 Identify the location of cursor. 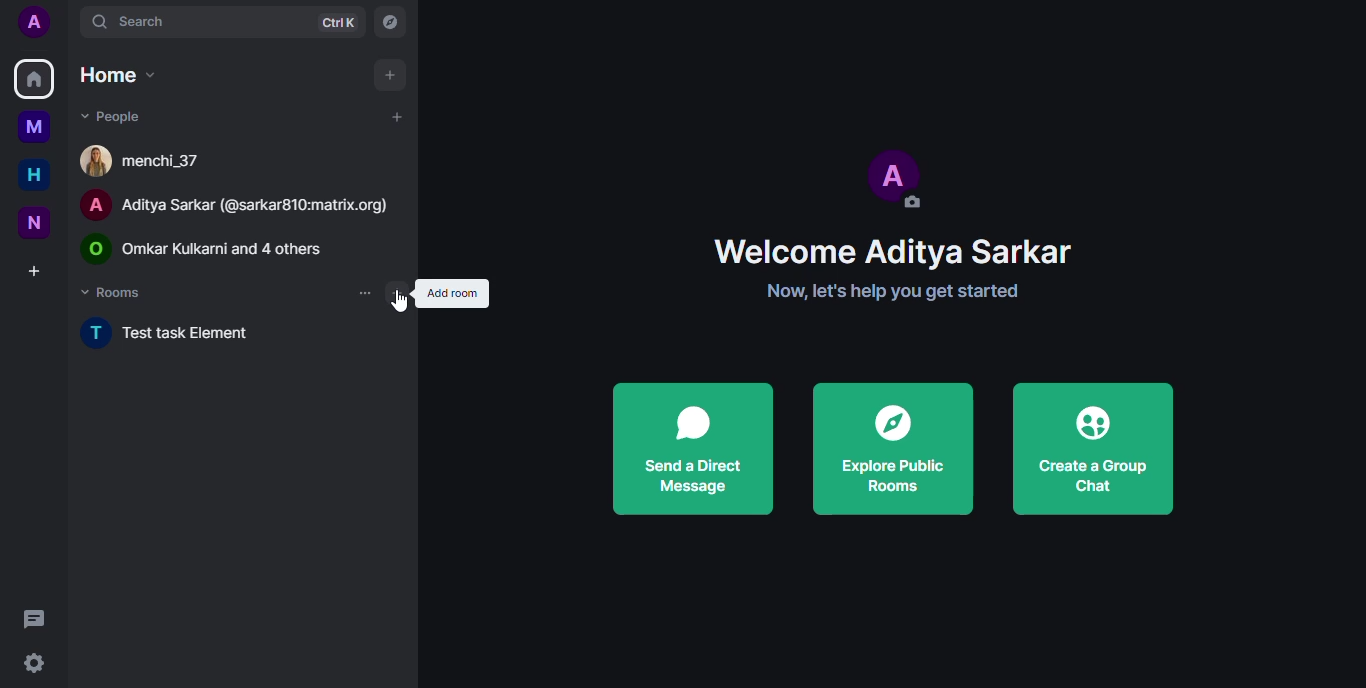
(399, 304).